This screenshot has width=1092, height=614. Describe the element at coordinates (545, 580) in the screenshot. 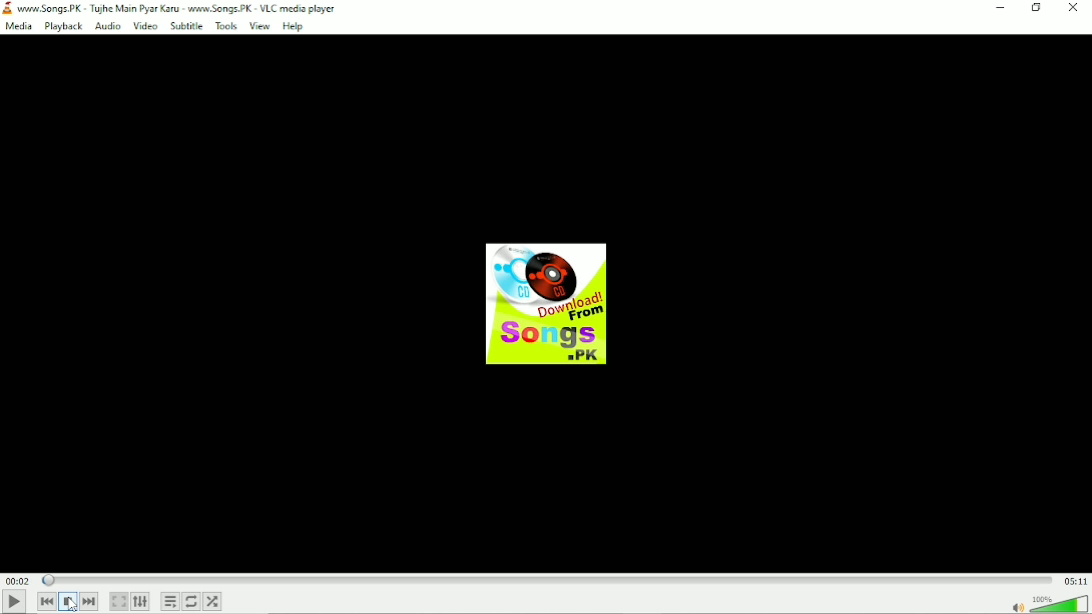

I see `Play duration` at that location.